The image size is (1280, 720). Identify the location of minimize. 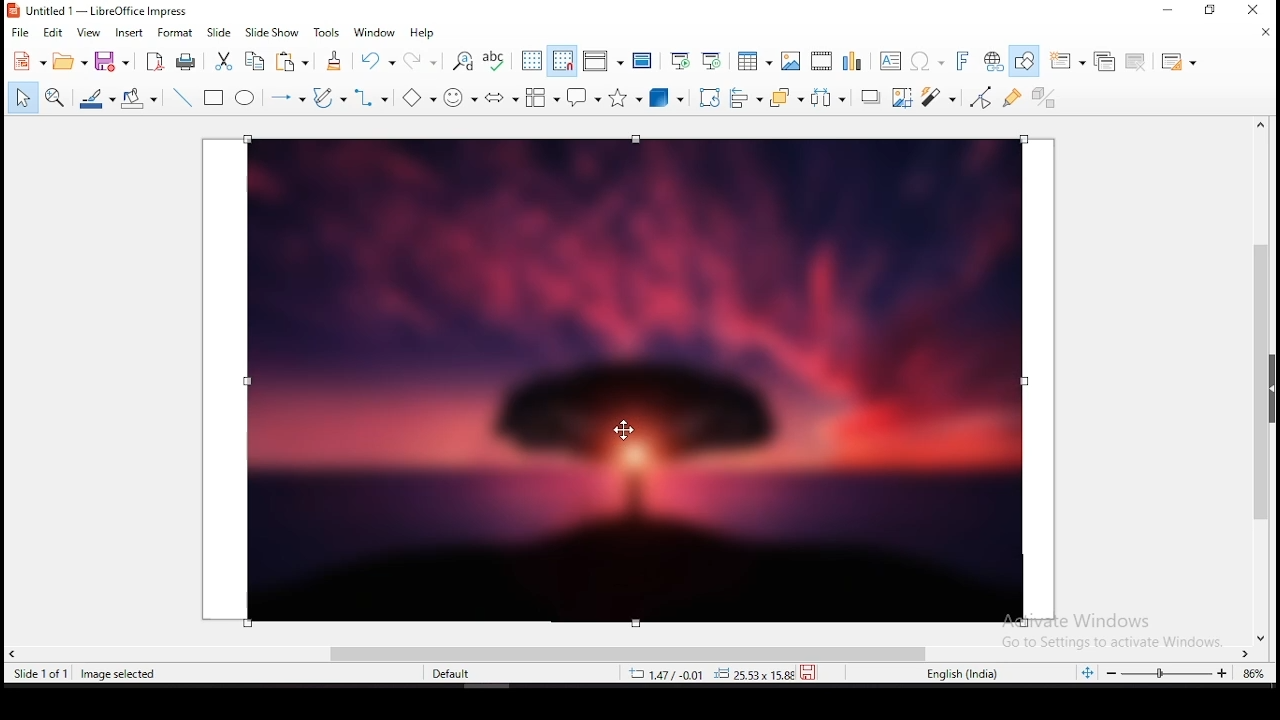
(1172, 10).